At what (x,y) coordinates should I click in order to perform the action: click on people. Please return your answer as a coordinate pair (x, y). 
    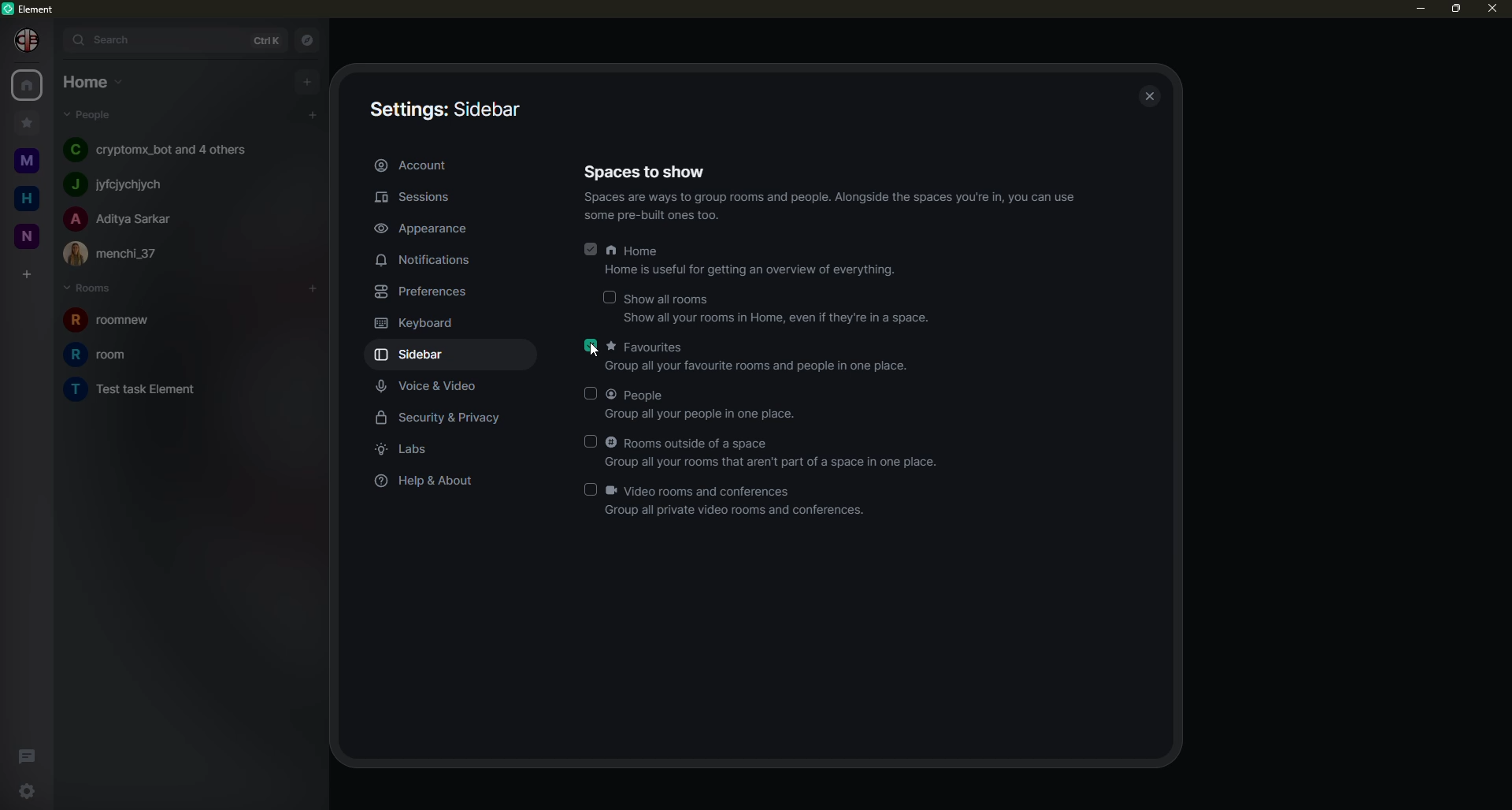
    Looking at the image, I should click on (705, 402).